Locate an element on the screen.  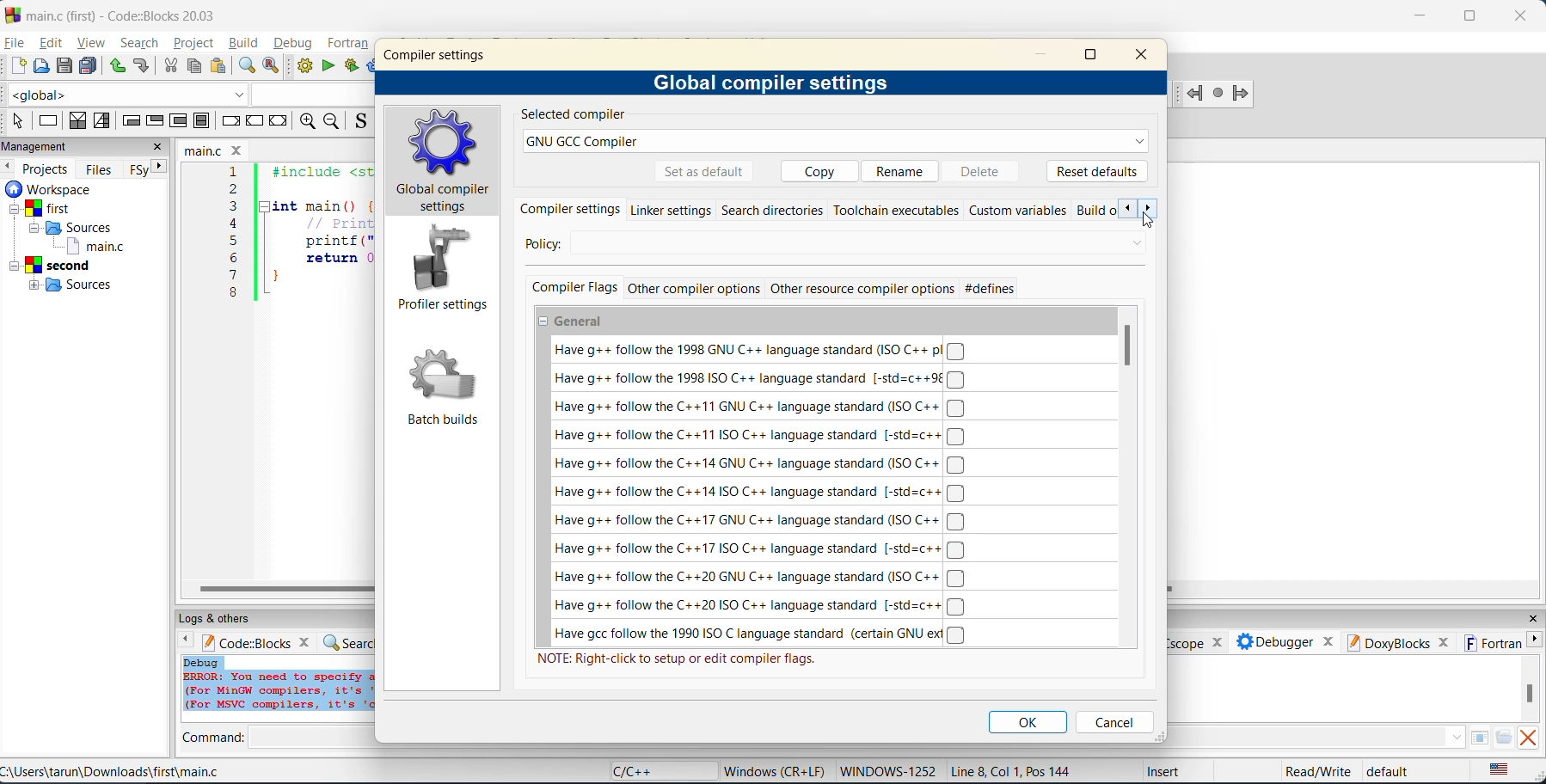
policy is located at coordinates (825, 244).